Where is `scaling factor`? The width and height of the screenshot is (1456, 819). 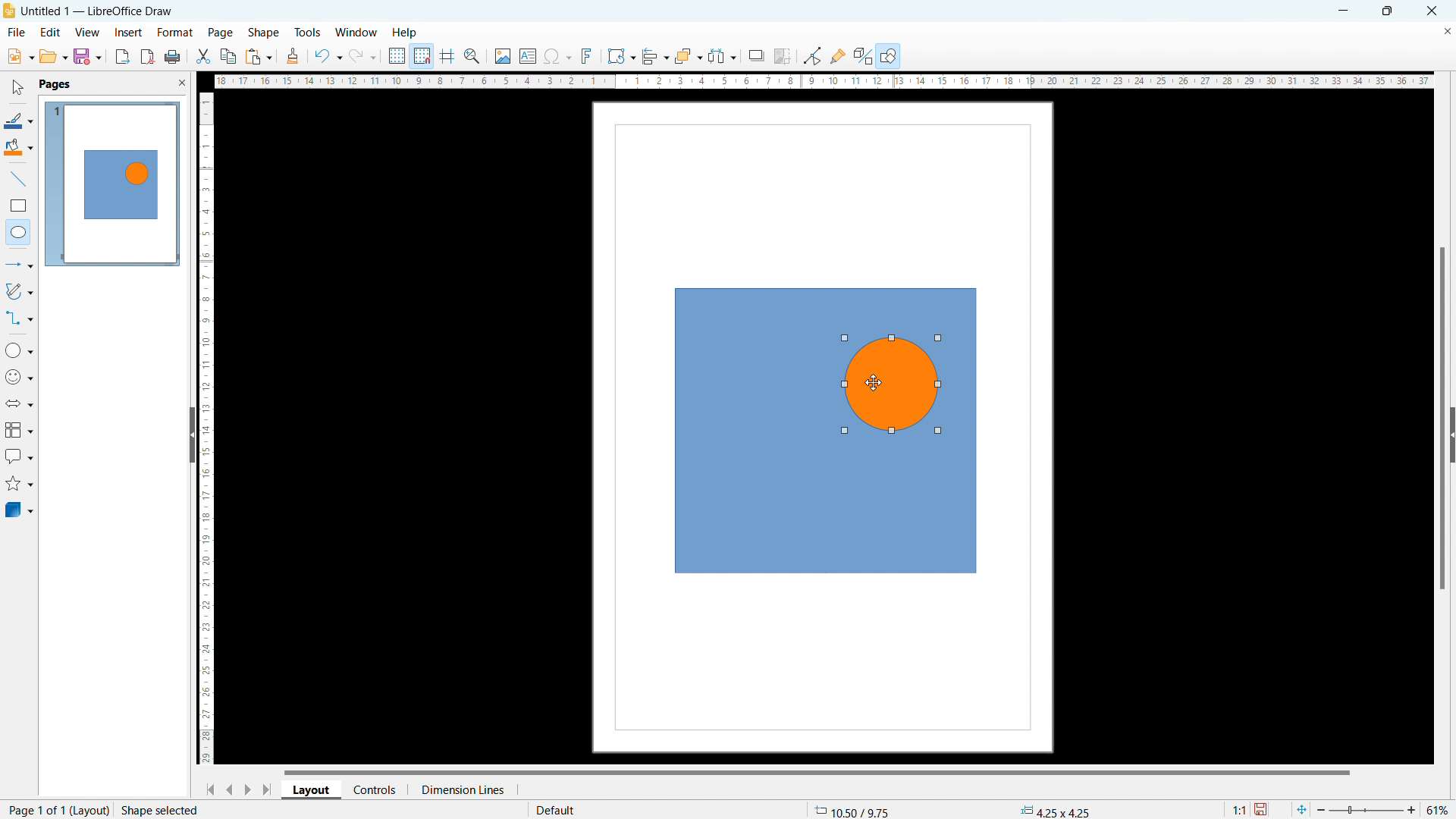
scaling factor is located at coordinates (1237, 808).